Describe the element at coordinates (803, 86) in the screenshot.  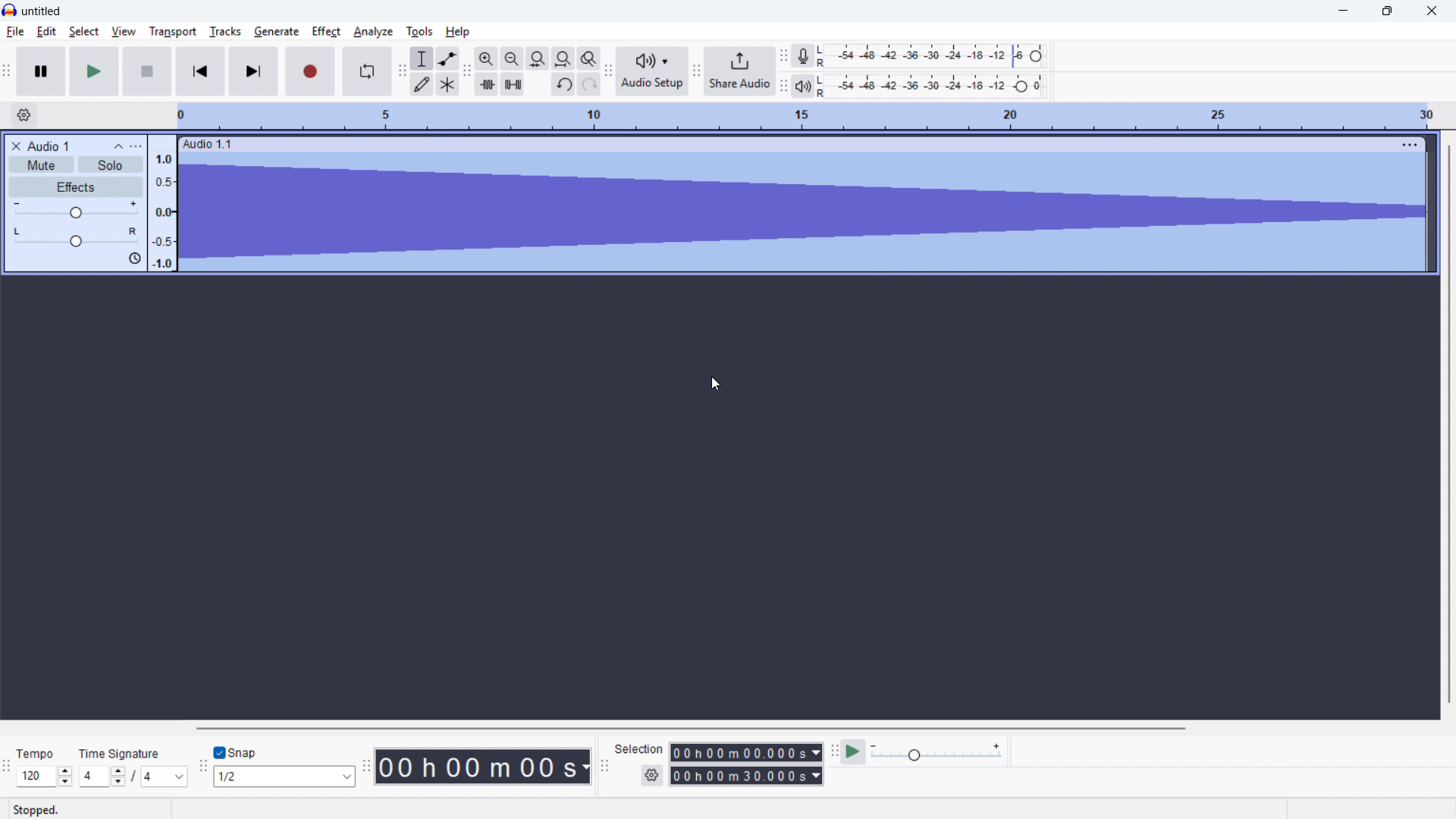
I see `Playback metre ` at that location.